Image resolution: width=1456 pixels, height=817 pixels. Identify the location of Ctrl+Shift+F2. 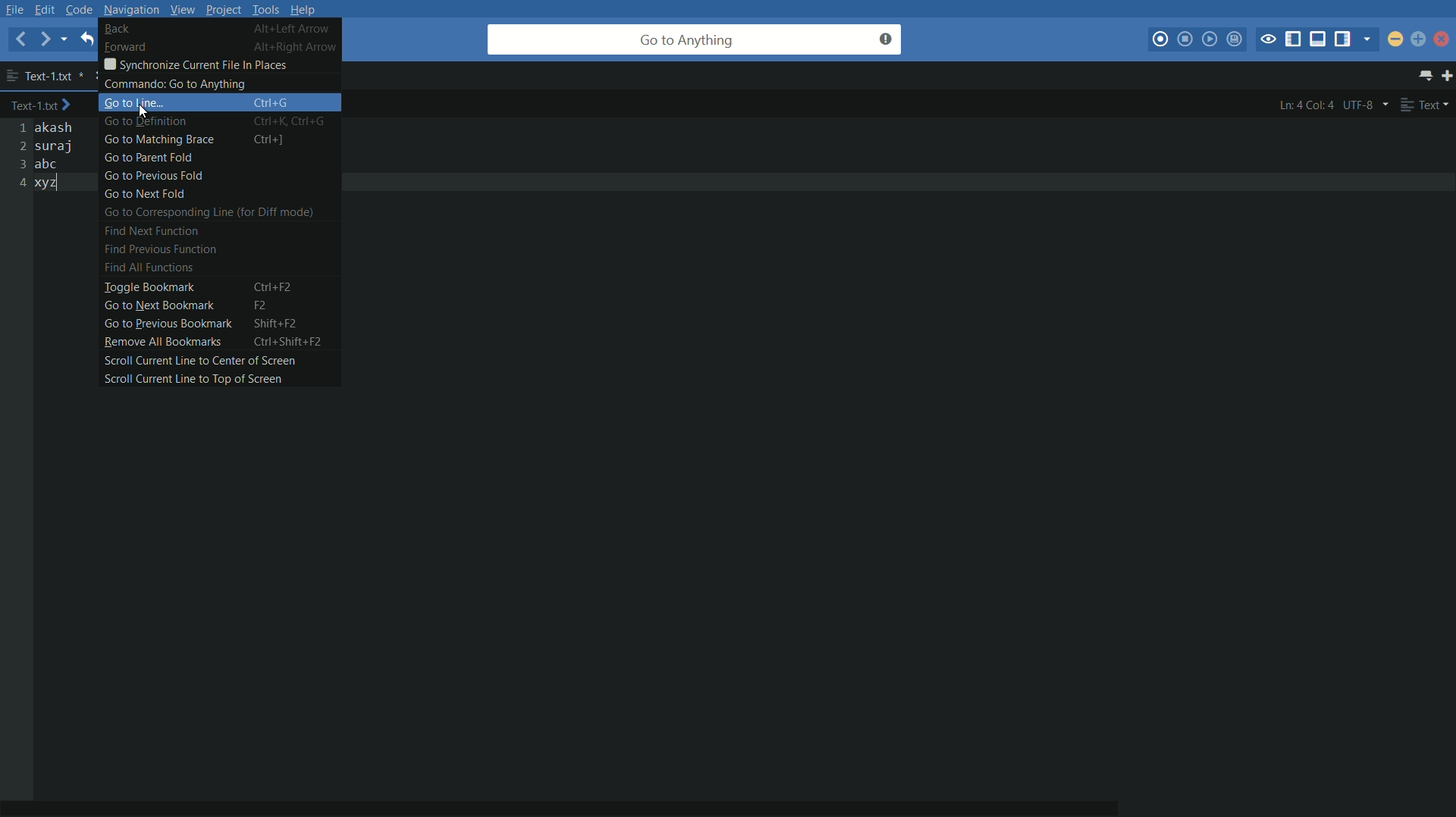
(293, 342).